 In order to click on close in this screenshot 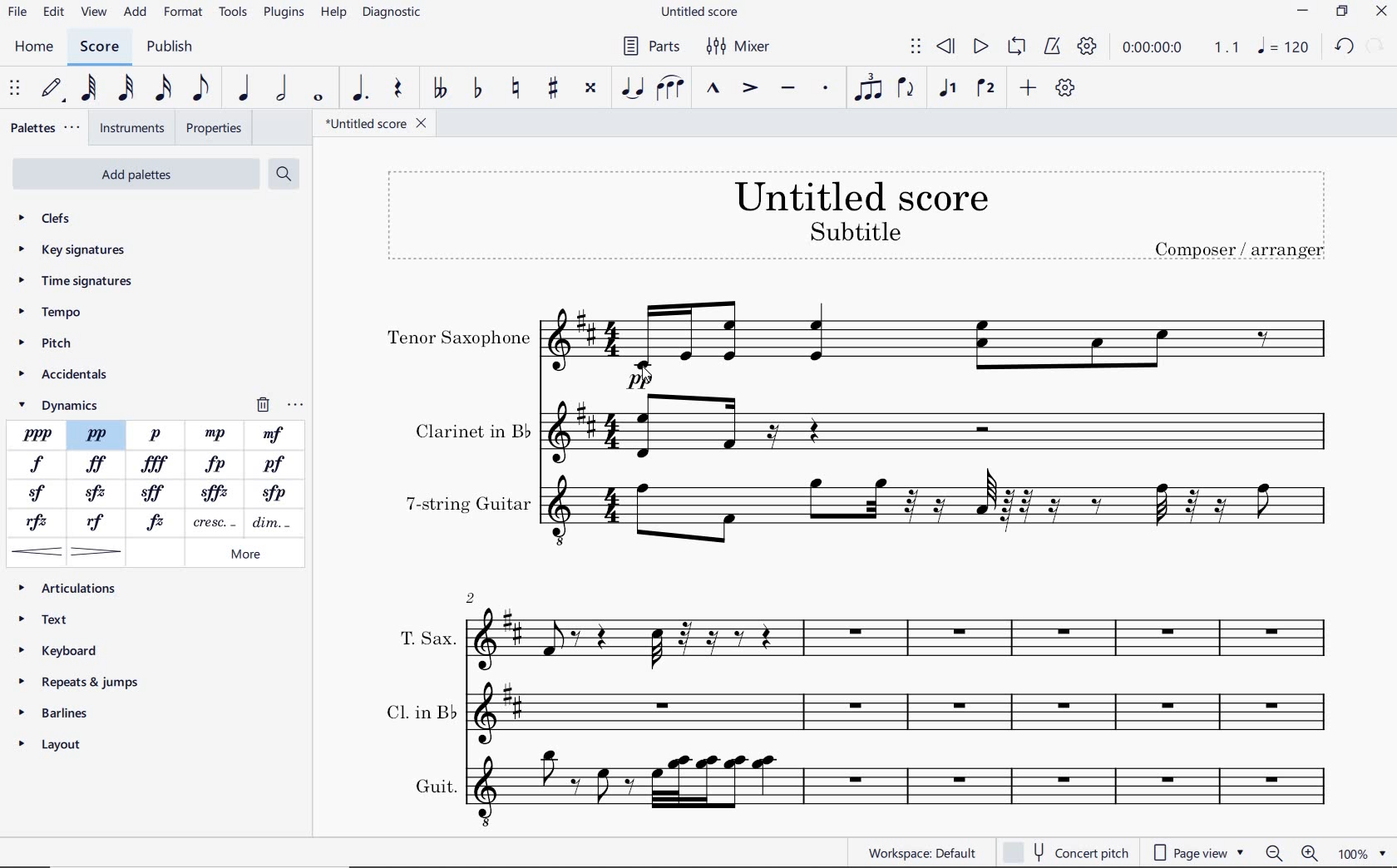, I will do `click(1381, 12)`.